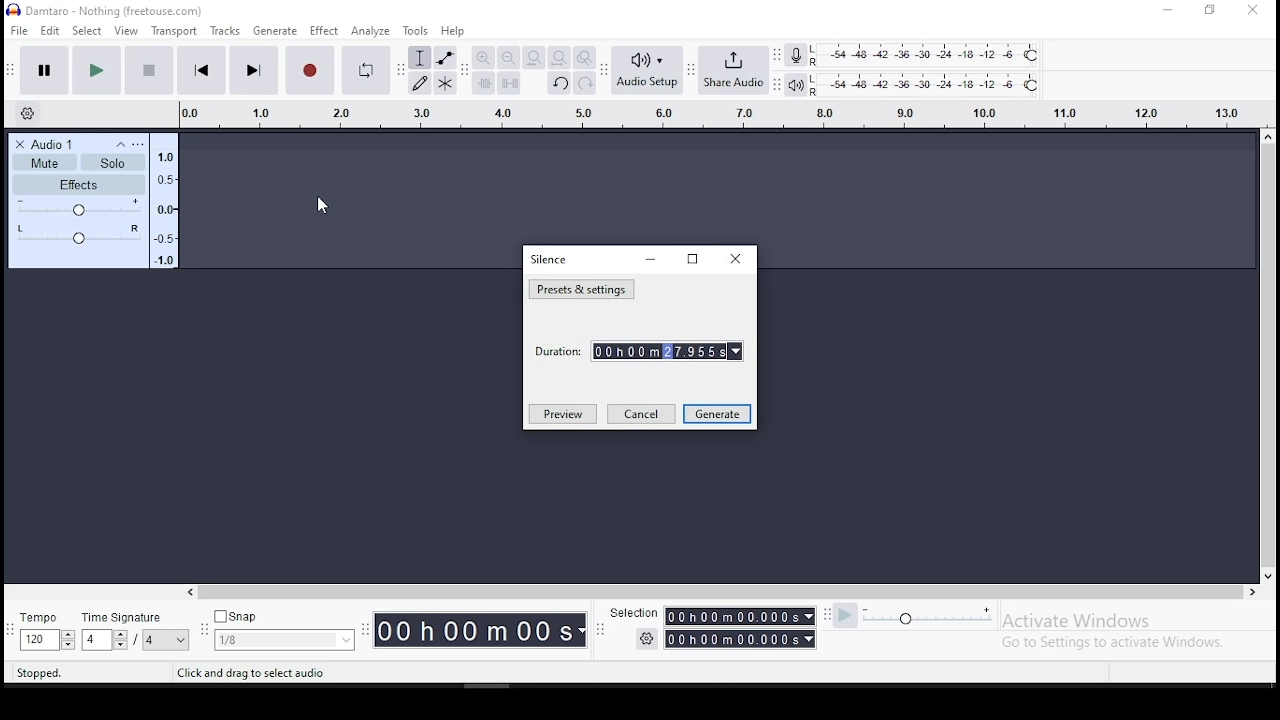 This screenshot has height=720, width=1280. What do you see at coordinates (419, 57) in the screenshot?
I see `selection tool` at bounding box center [419, 57].